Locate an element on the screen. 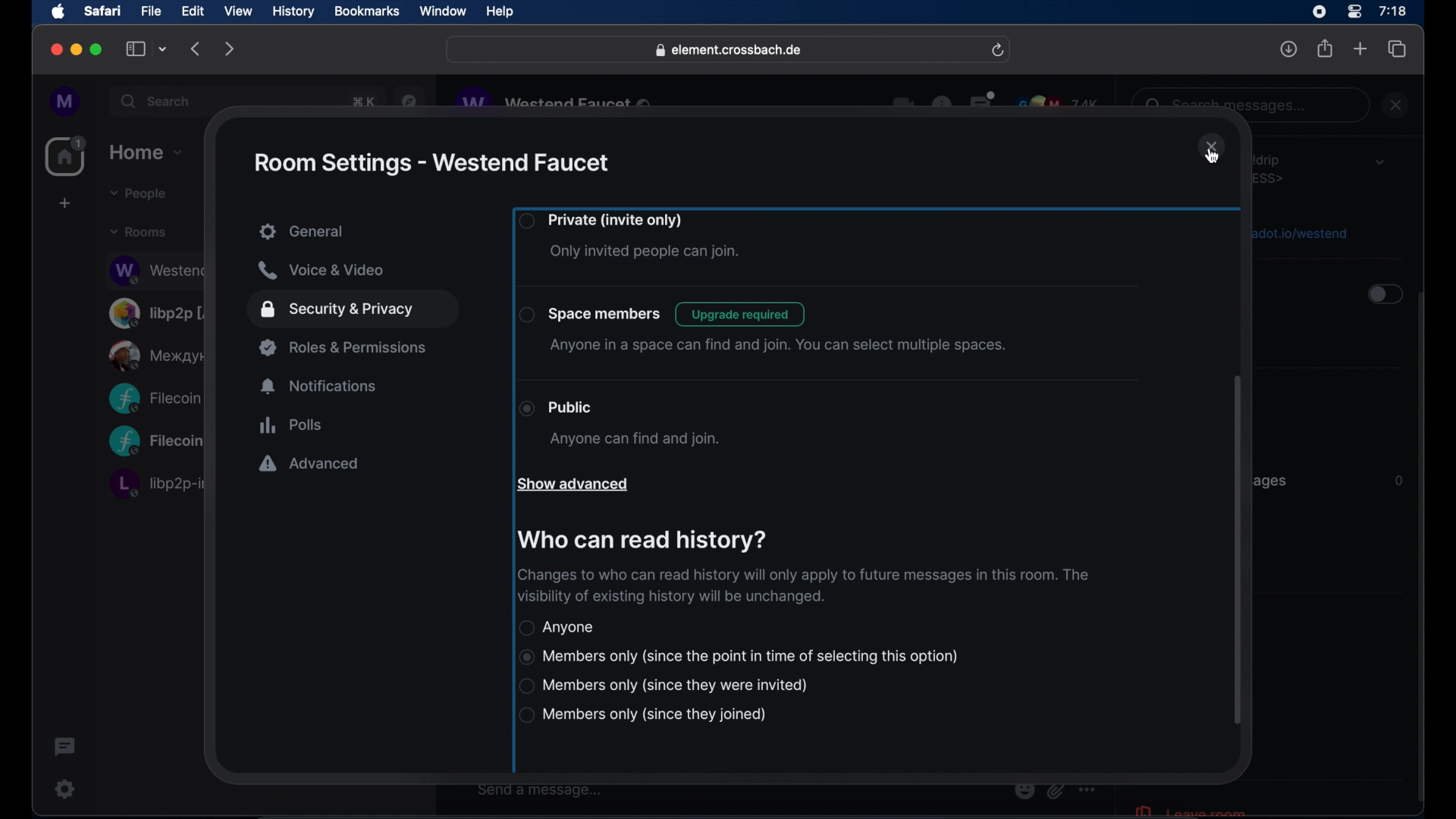 The height and width of the screenshot is (819, 1456). obscure icons is located at coordinates (996, 102).